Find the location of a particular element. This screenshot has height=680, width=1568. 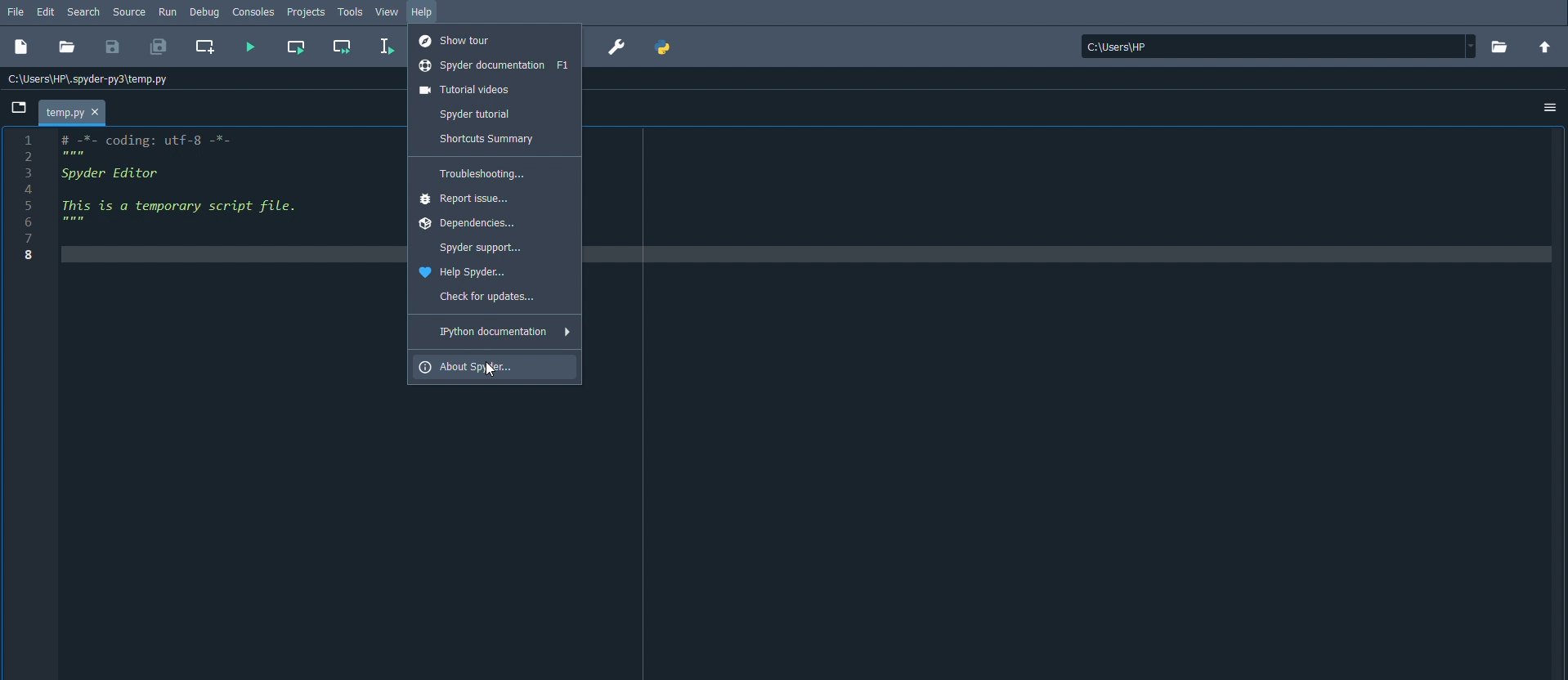

Create new cell at the current line is located at coordinates (204, 46).